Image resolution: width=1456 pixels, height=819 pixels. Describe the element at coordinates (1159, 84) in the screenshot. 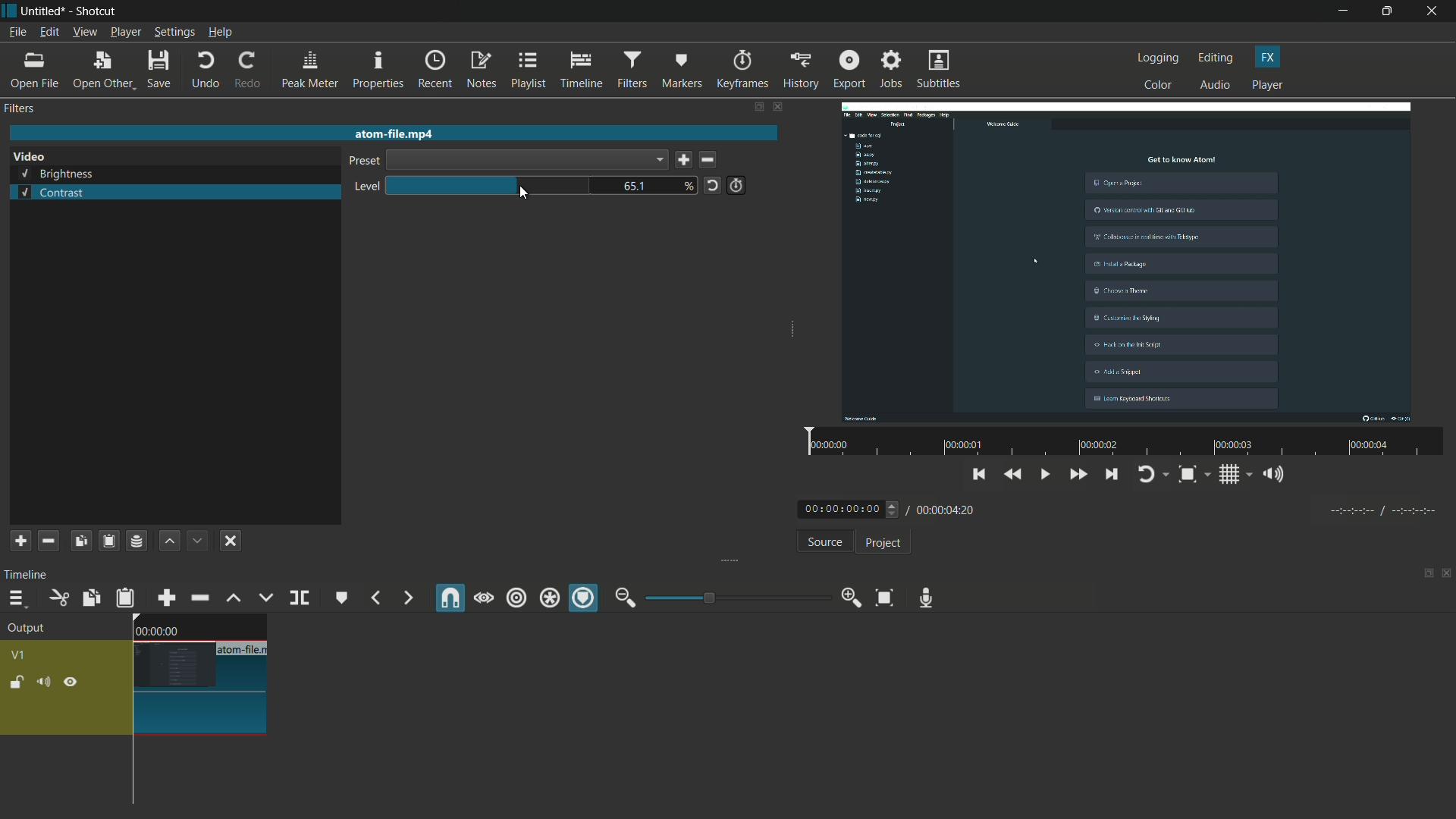

I see `color` at that location.